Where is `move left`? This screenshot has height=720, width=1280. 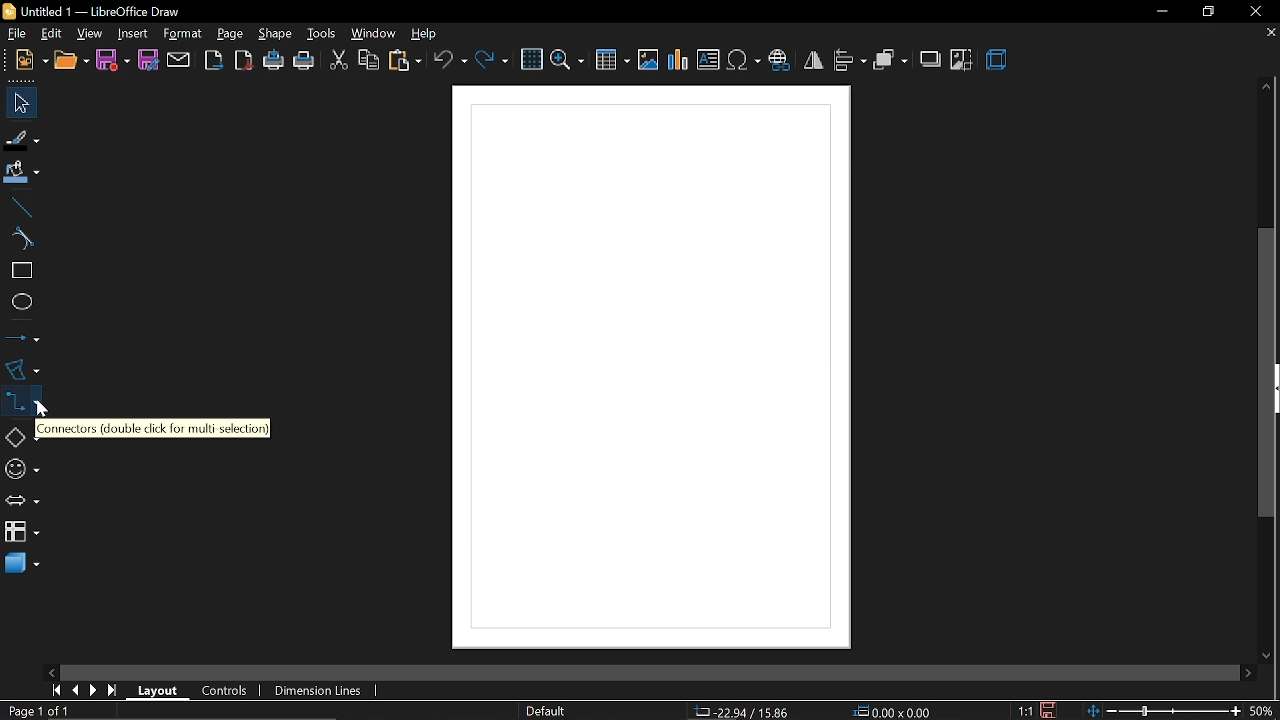 move left is located at coordinates (51, 671).